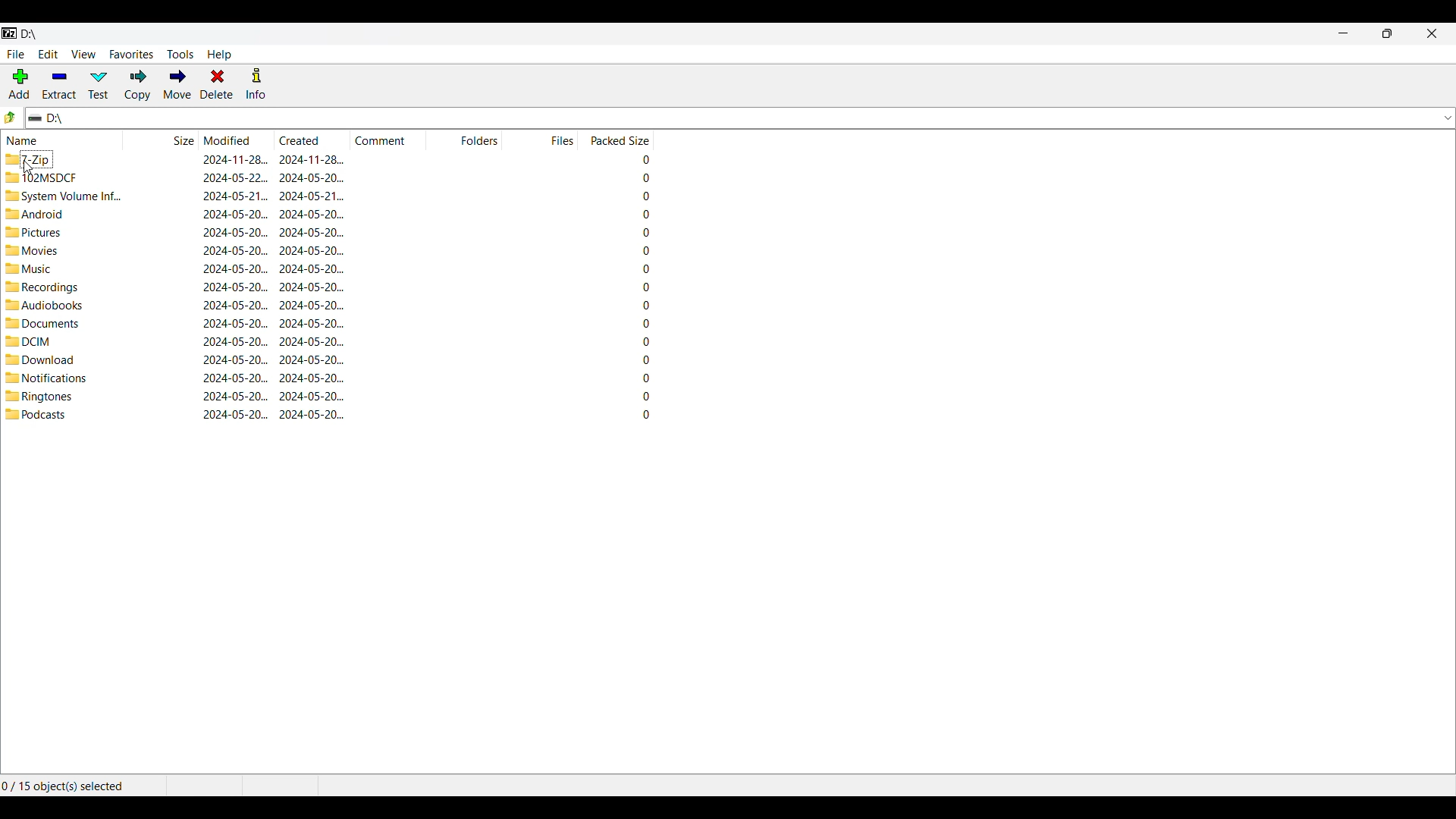 This screenshot has height=819, width=1456. I want to click on File, so click(16, 55).